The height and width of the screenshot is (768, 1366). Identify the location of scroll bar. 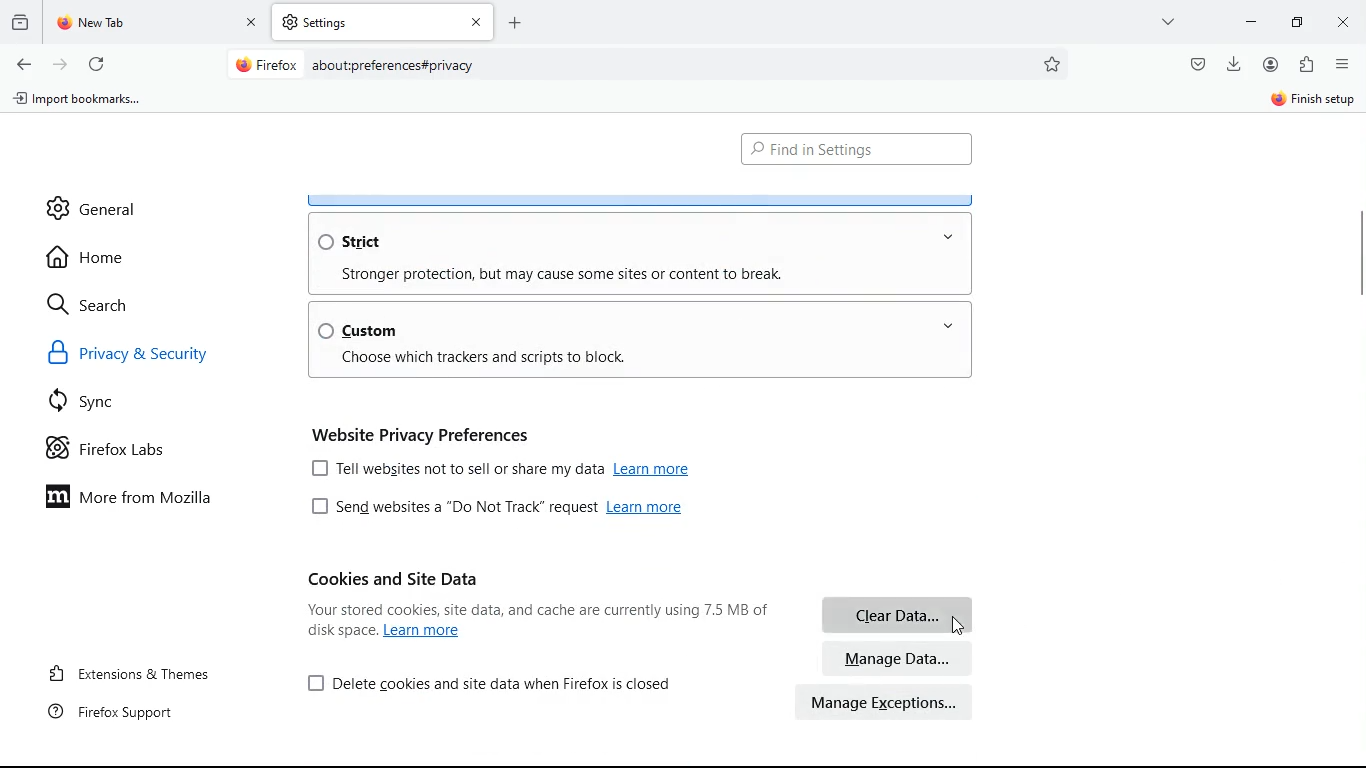
(1357, 249).